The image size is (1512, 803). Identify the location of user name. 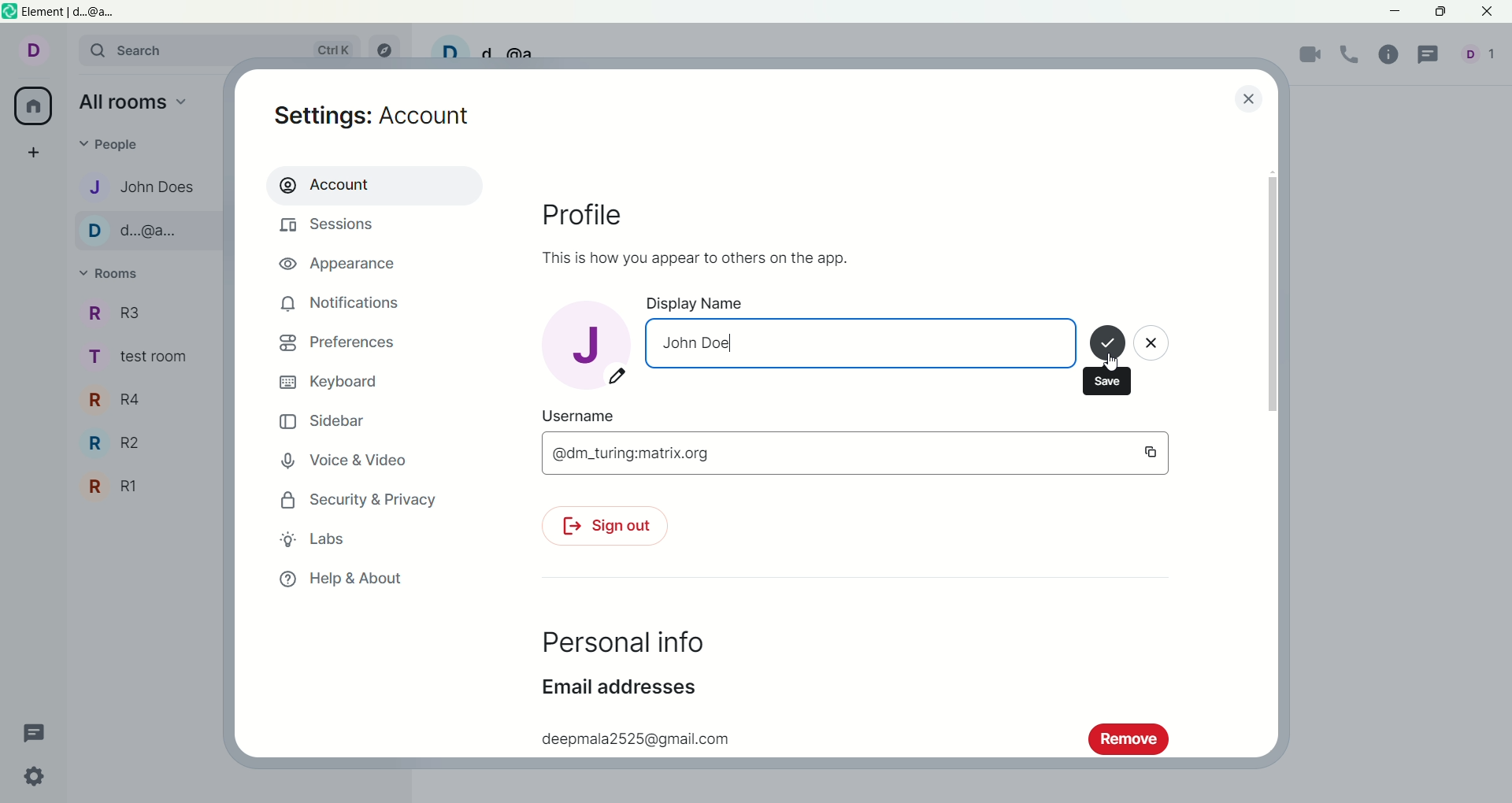
(591, 417).